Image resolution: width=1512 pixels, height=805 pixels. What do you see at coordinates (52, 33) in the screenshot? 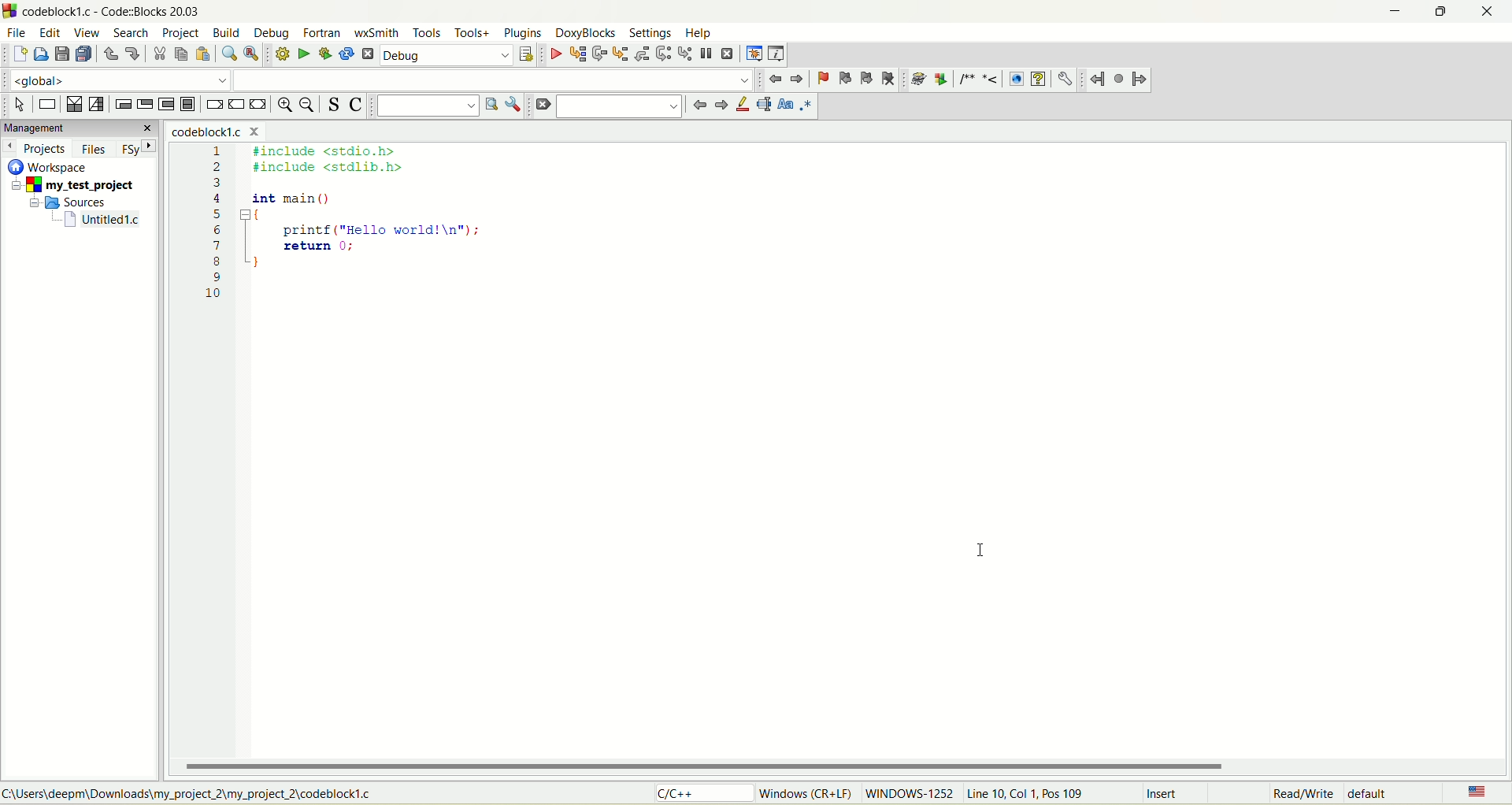
I see `edit` at bounding box center [52, 33].